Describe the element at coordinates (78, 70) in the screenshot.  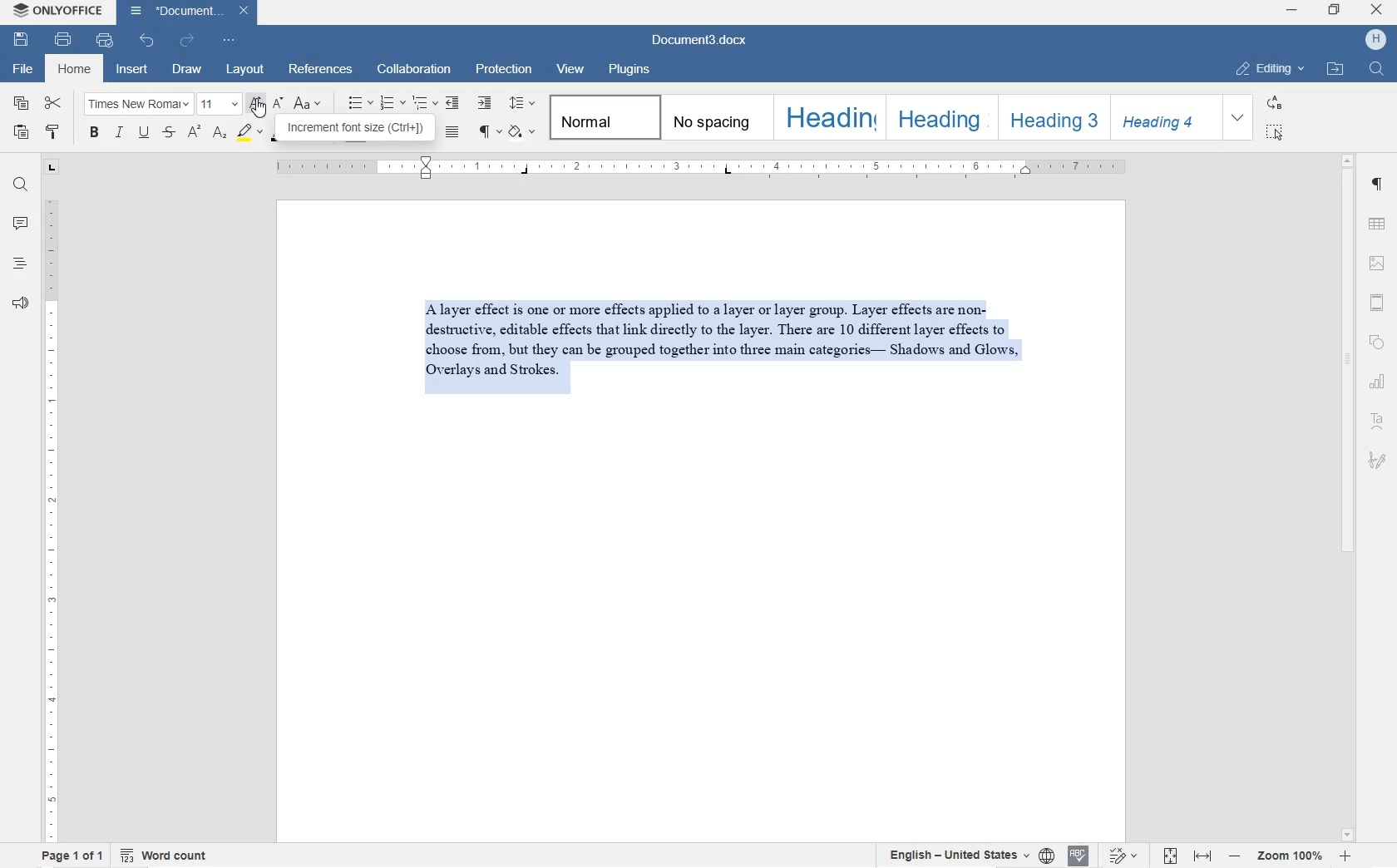
I see `home` at that location.